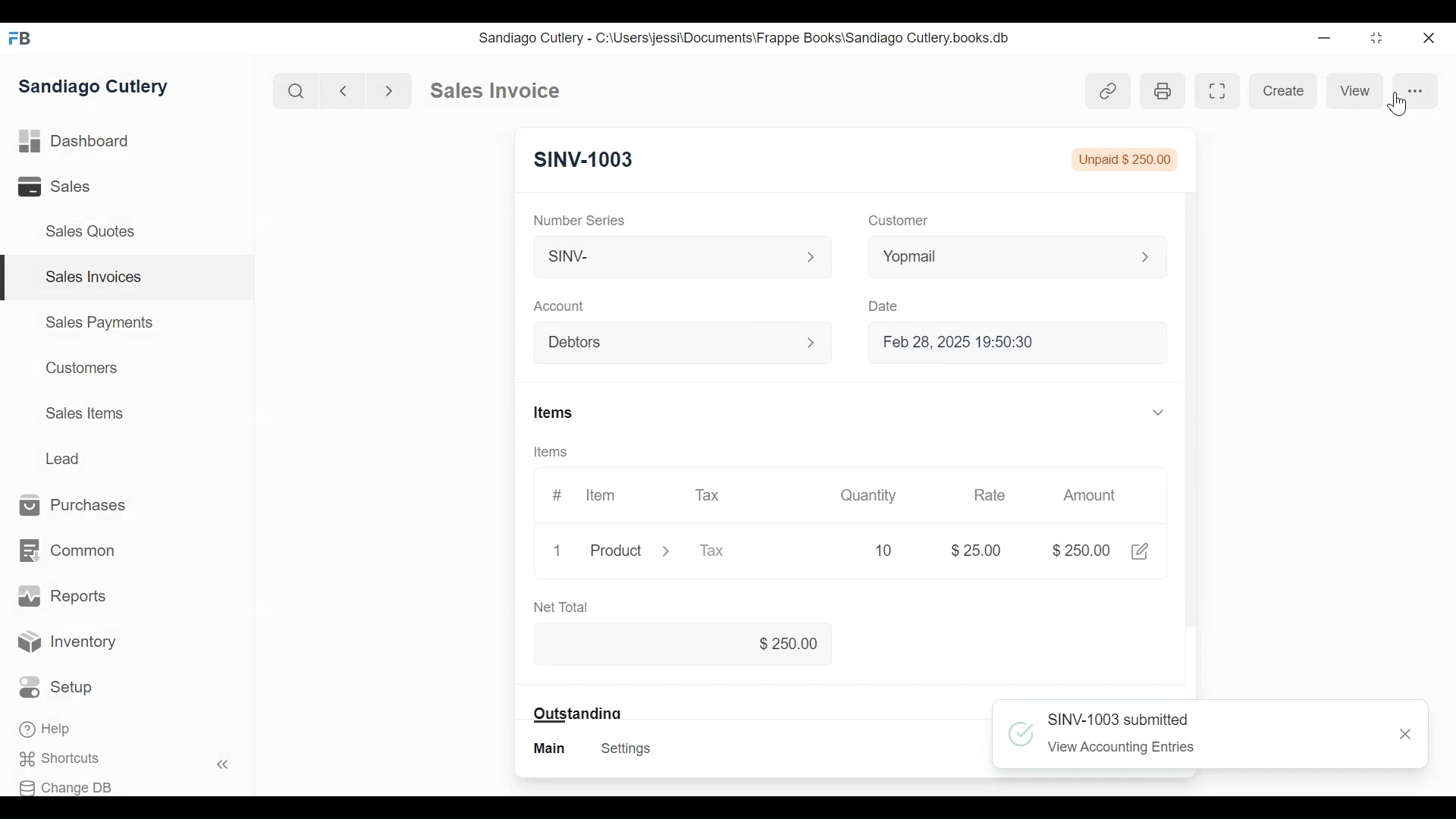  What do you see at coordinates (344, 90) in the screenshot?
I see `backward` at bounding box center [344, 90].